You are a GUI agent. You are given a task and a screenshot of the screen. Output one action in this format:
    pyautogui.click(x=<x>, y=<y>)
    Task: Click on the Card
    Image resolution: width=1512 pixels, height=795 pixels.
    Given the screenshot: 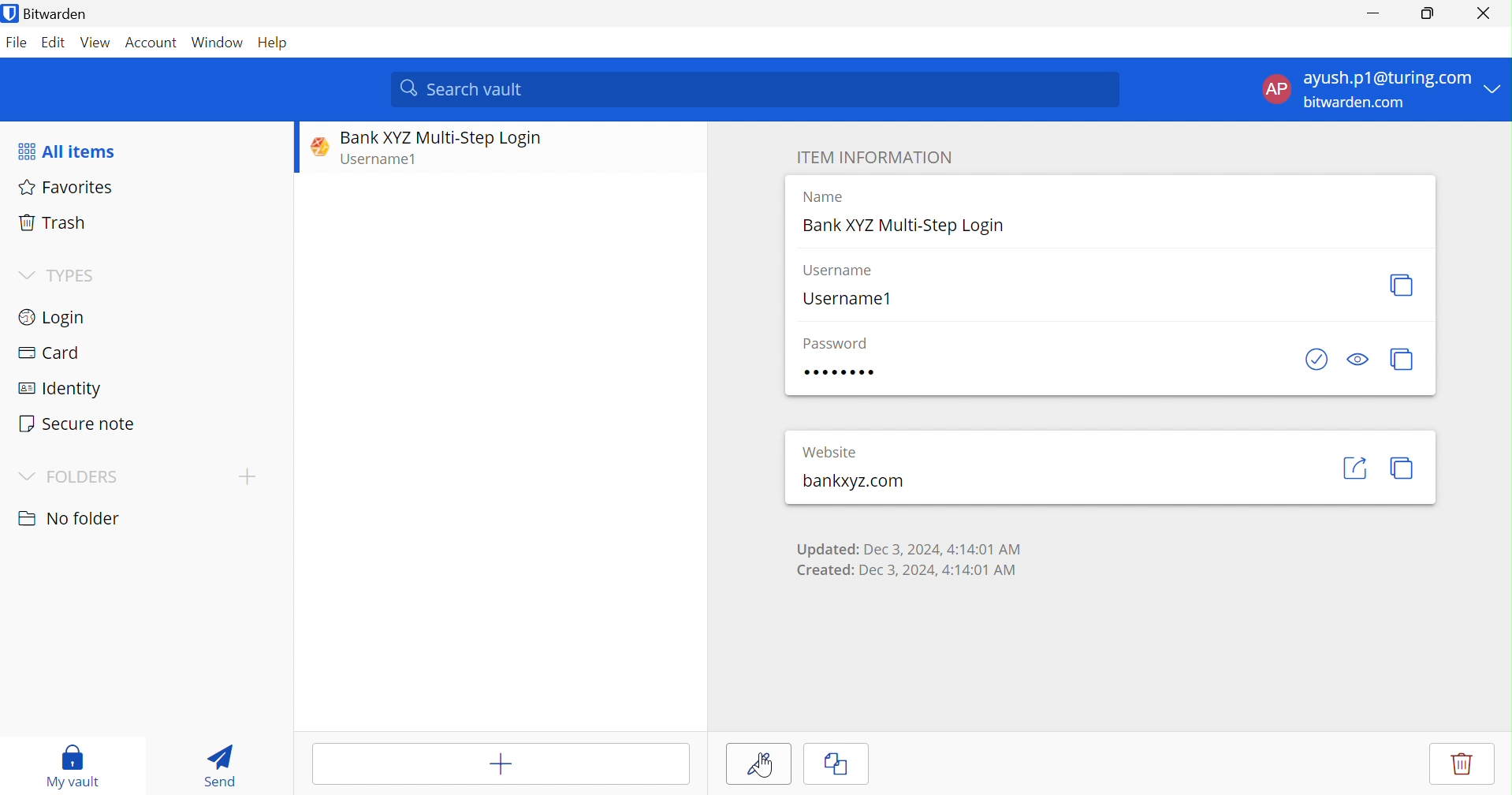 What is the action you would take?
    pyautogui.click(x=48, y=352)
    